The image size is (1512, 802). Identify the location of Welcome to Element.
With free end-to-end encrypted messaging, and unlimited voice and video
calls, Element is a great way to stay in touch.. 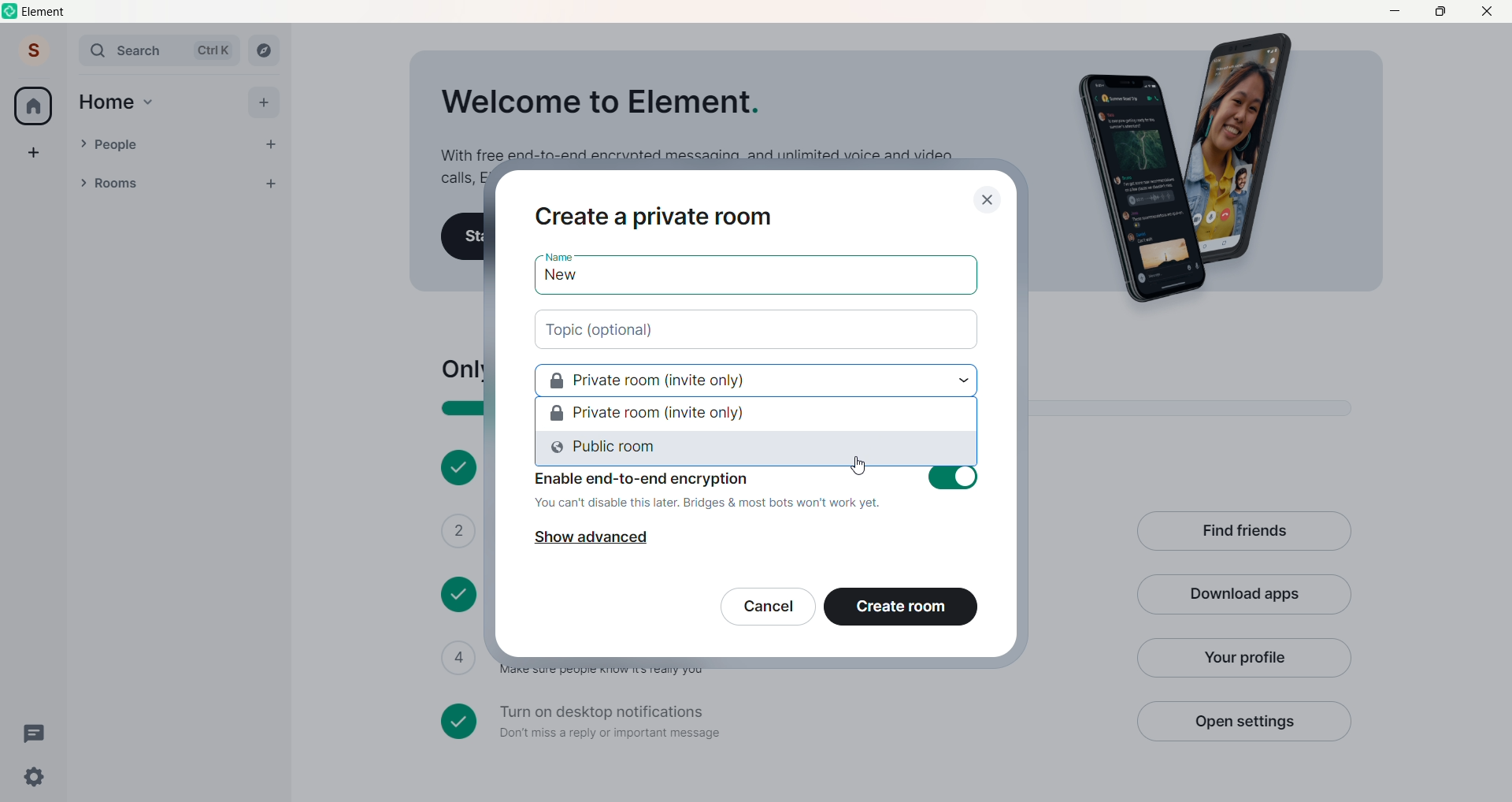
(695, 120).